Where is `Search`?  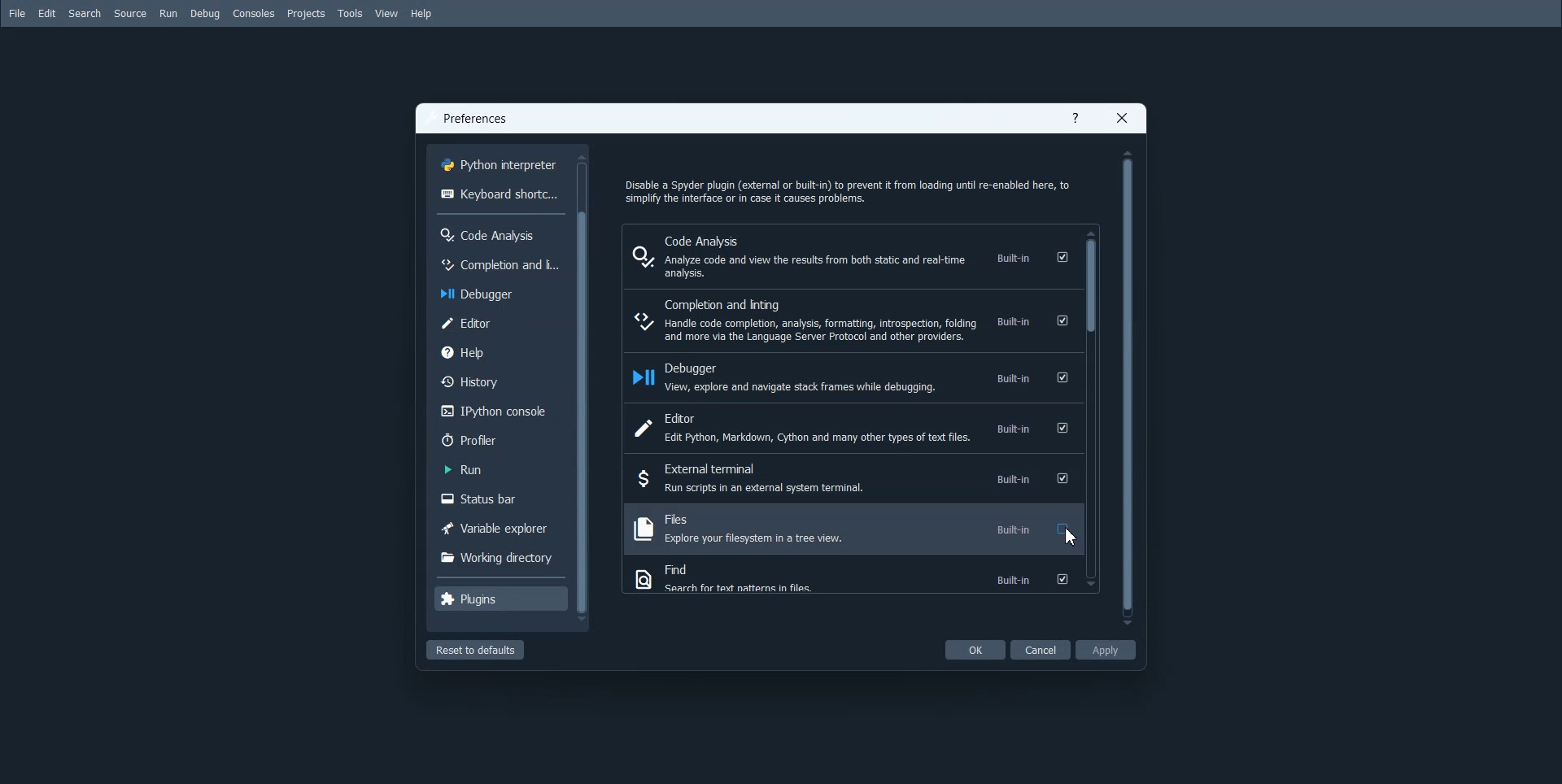
Search is located at coordinates (85, 14).